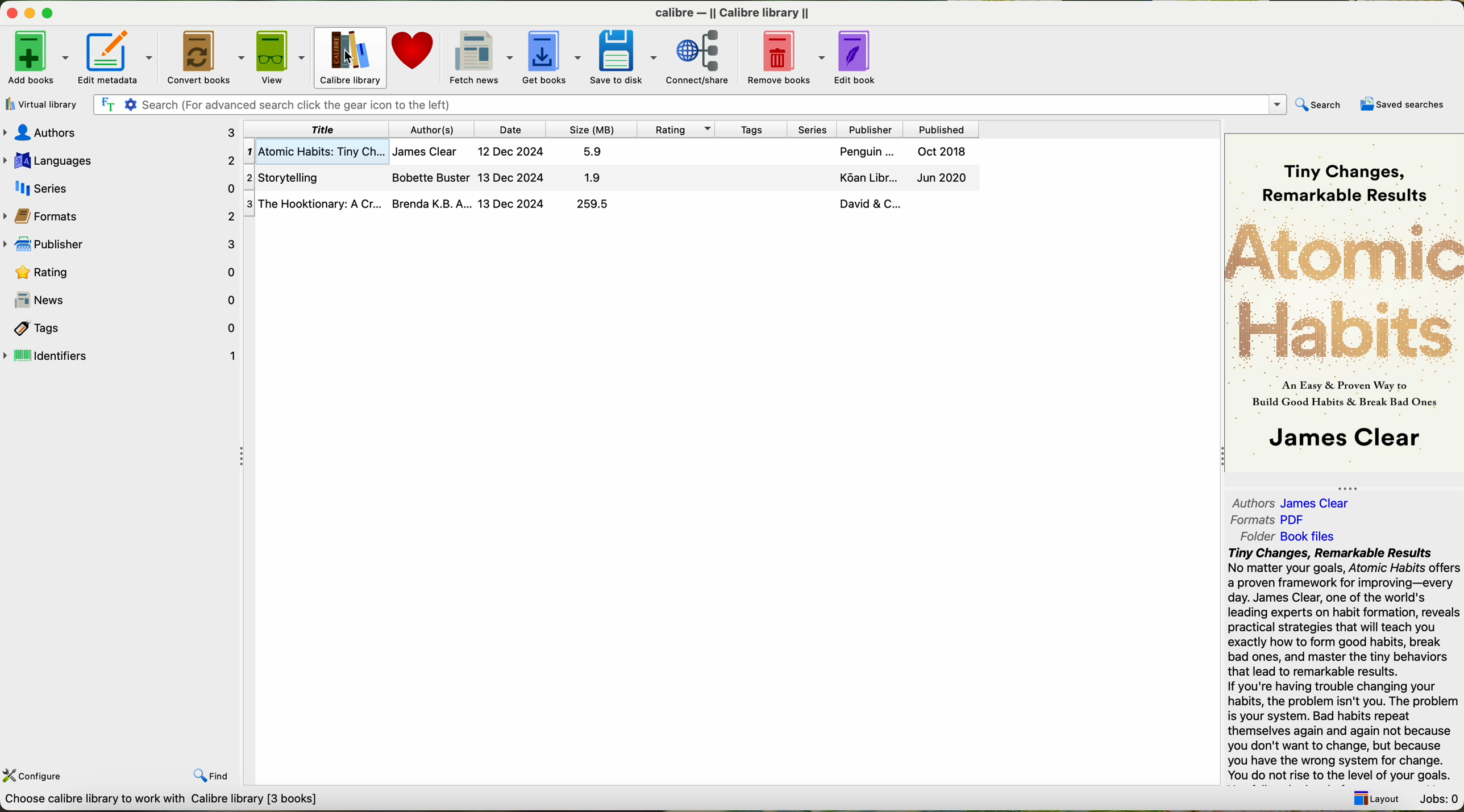  Describe the element at coordinates (942, 128) in the screenshot. I see `published` at that location.